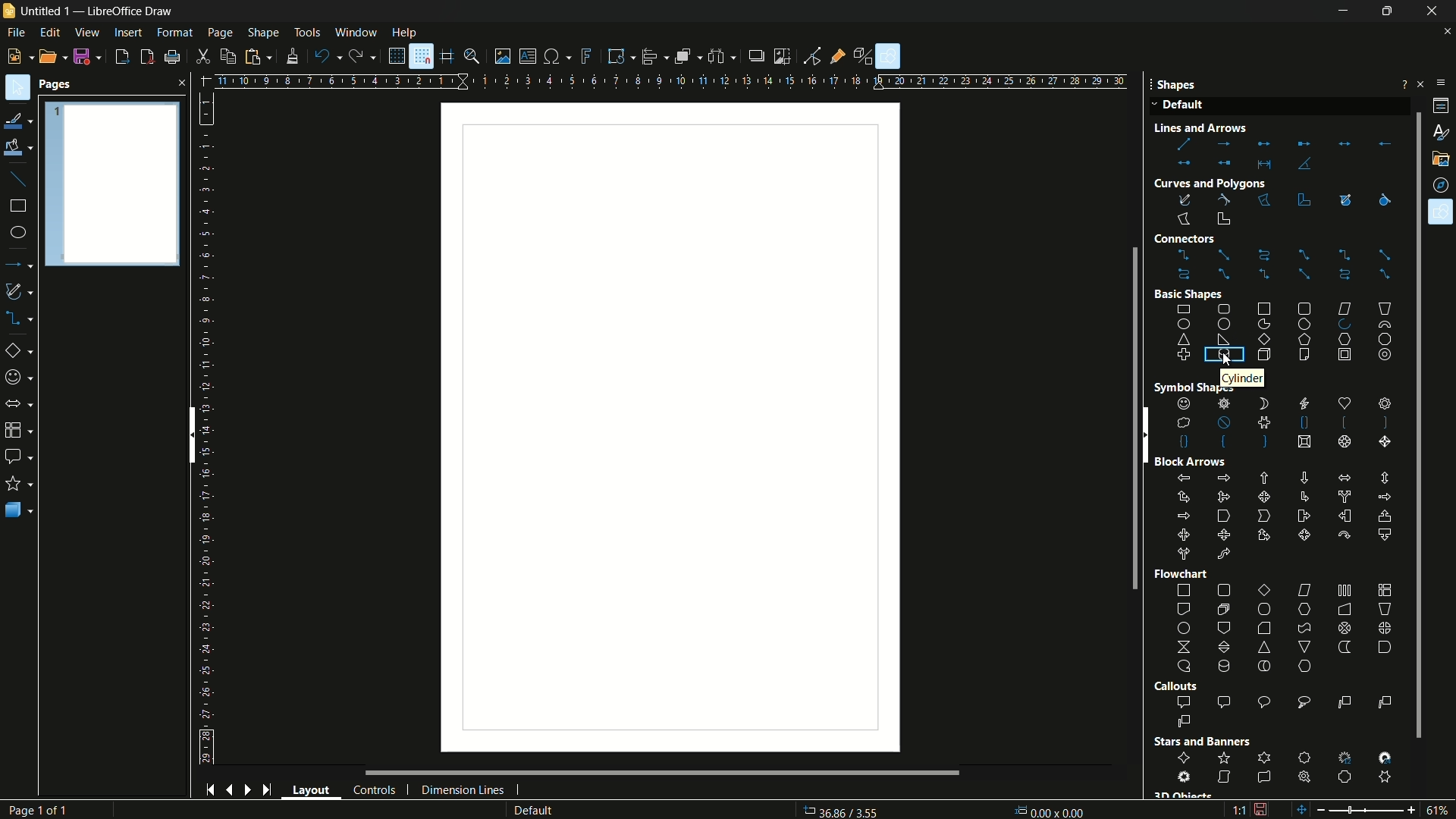  What do you see at coordinates (230, 792) in the screenshot?
I see `previous page` at bounding box center [230, 792].